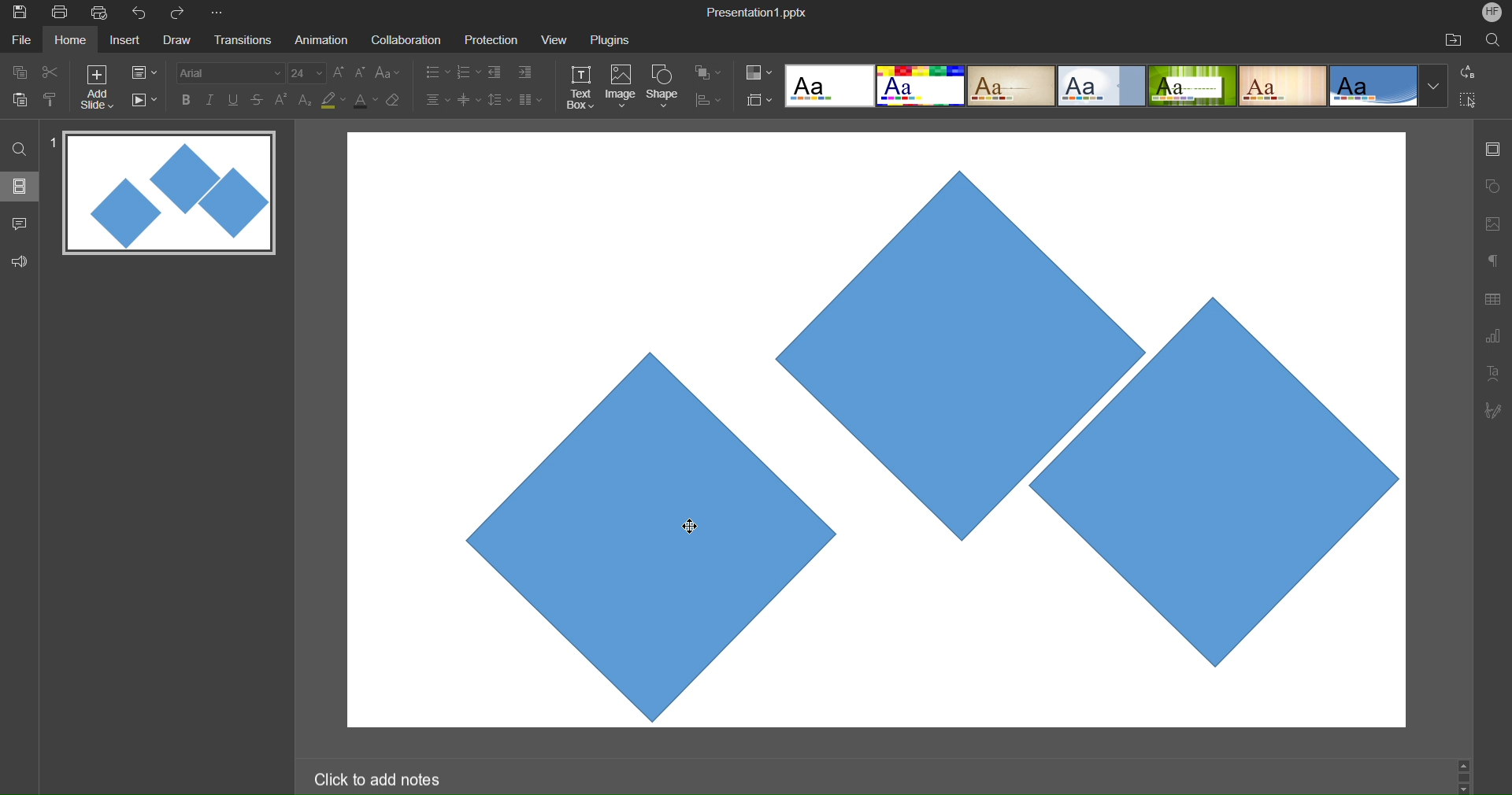 Image resolution: width=1512 pixels, height=795 pixels. Describe the element at coordinates (334, 100) in the screenshot. I see `Highlight` at that location.